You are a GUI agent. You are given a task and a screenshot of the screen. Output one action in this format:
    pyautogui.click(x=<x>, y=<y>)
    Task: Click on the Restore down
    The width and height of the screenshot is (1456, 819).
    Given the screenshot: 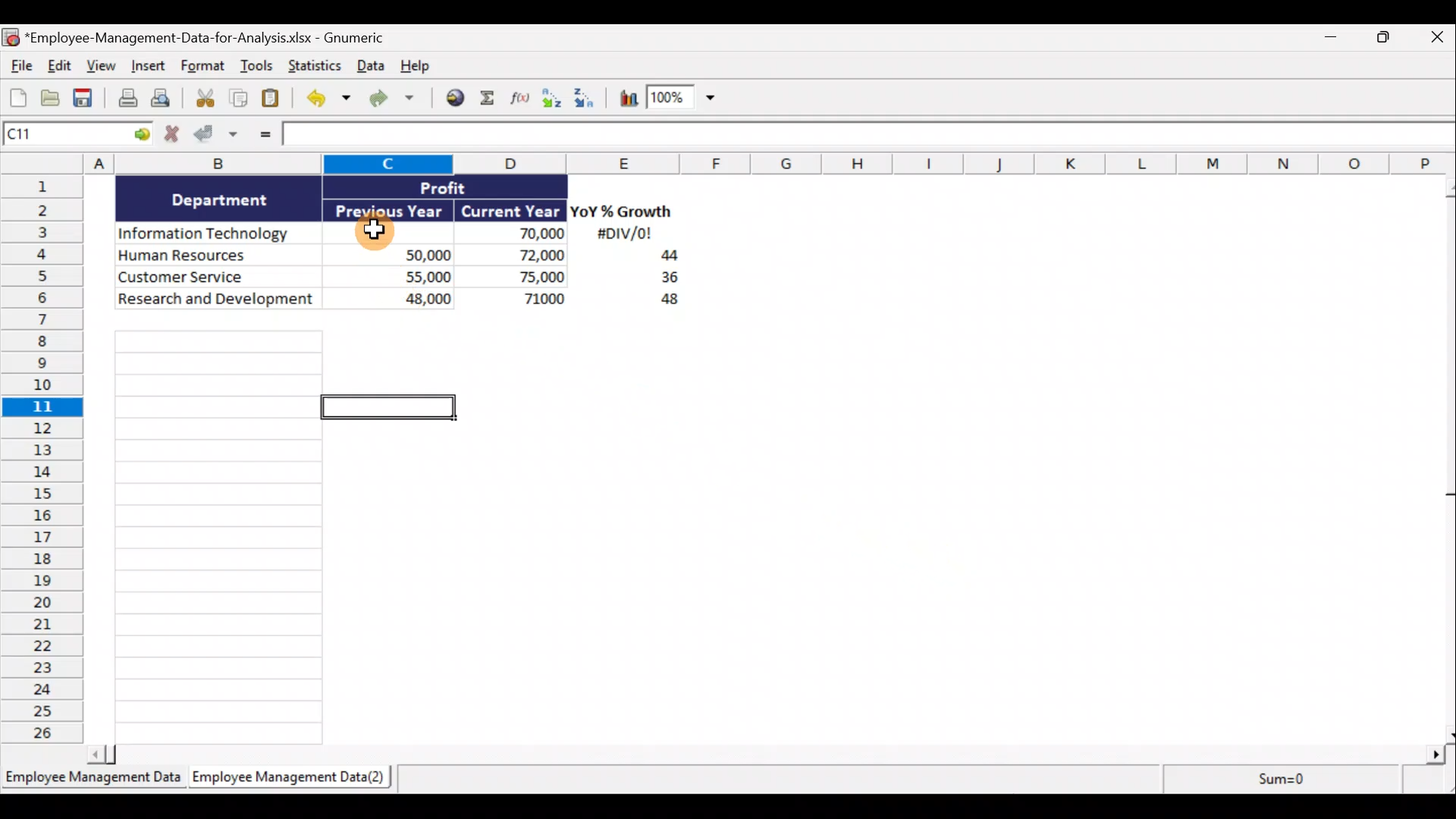 What is the action you would take?
    pyautogui.click(x=1385, y=41)
    